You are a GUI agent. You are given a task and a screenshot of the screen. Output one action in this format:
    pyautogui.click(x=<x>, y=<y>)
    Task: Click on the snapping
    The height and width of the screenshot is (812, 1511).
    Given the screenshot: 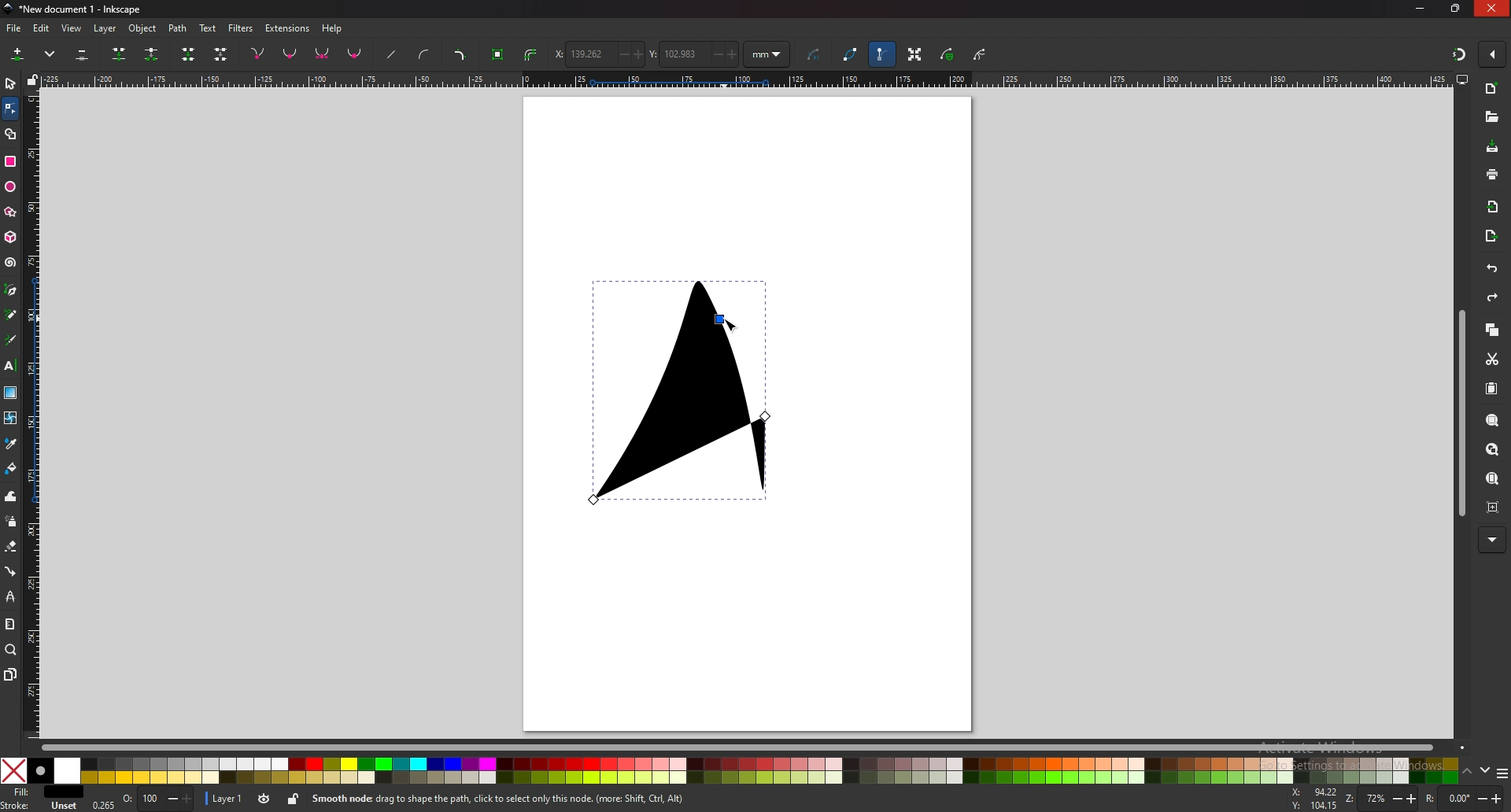 What is the action you would take?
    pyautogui.click(x=1459, y=55)
    